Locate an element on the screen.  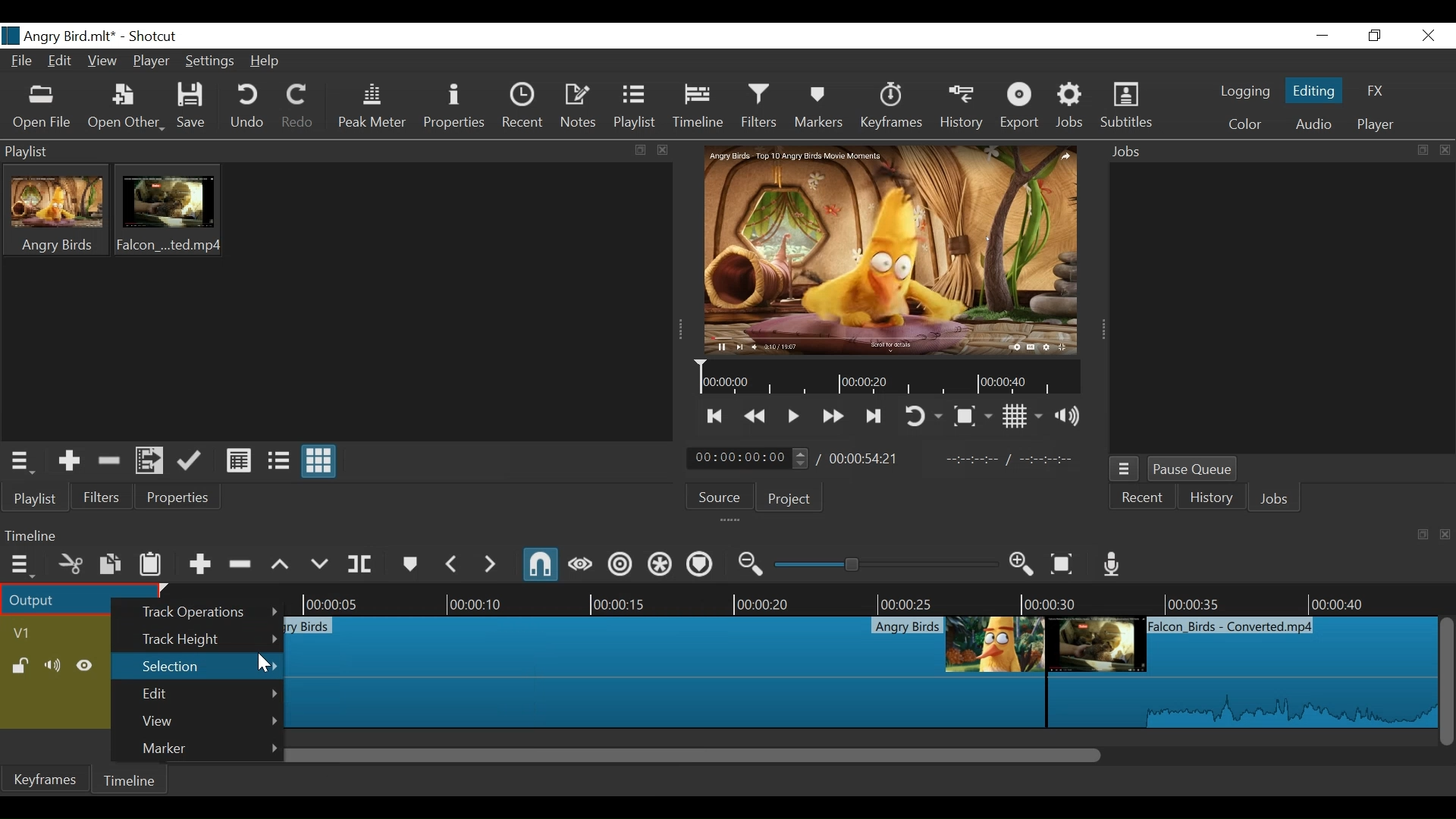
View is located at coordinates (210, 721).